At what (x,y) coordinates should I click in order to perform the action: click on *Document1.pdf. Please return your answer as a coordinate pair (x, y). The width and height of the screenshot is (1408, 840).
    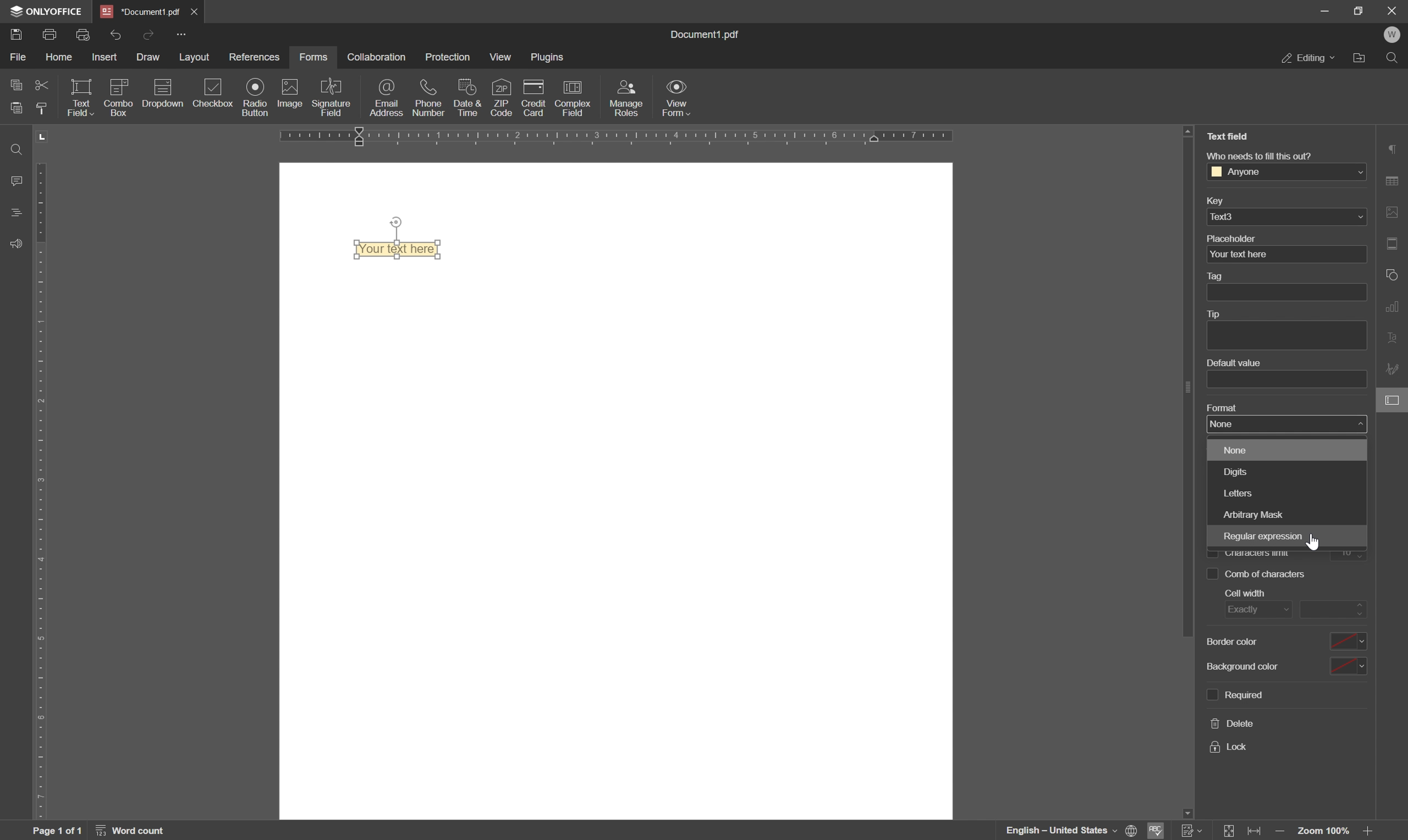
    Looking at the image, I should click on (141, 11).